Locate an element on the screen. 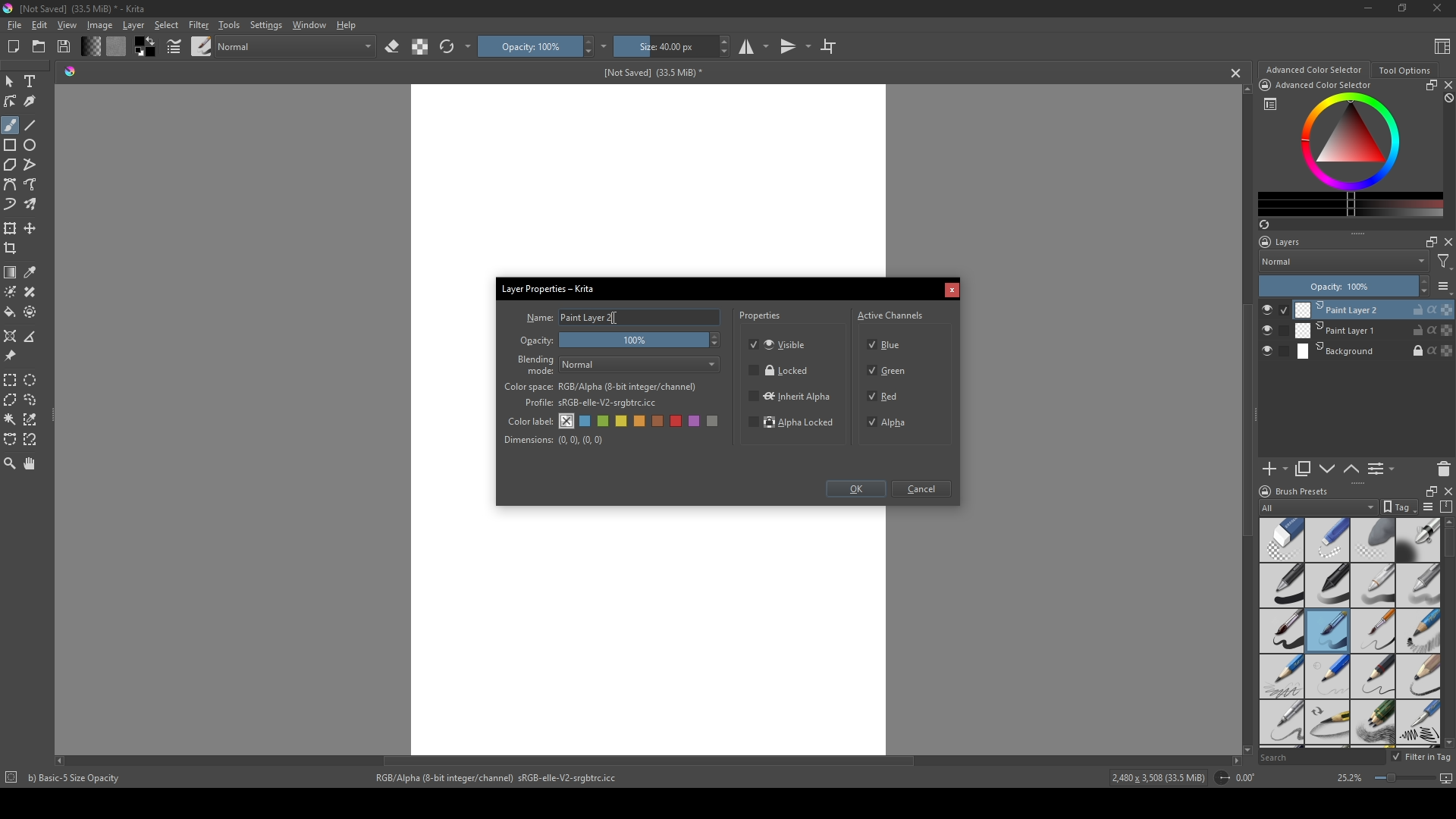  contrast is located at coordinates (419, 46).